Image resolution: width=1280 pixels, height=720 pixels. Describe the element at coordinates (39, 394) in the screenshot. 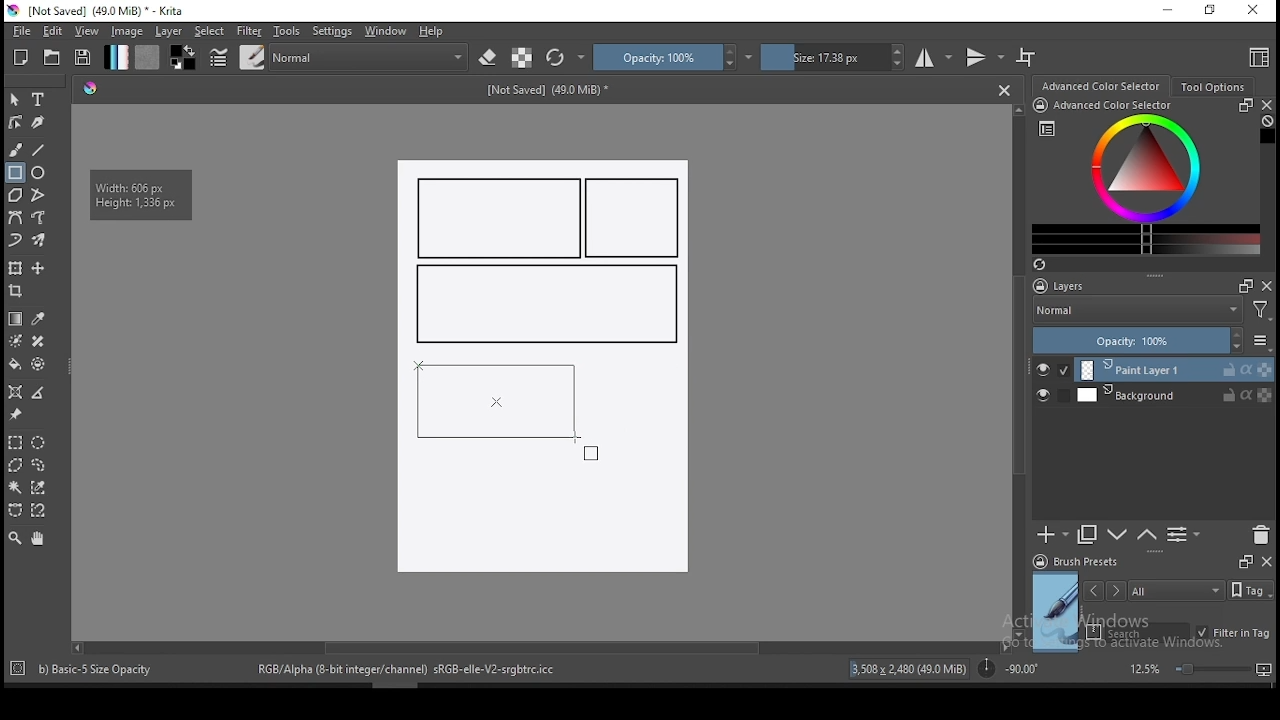

I see `measure distance between two points` at that location.